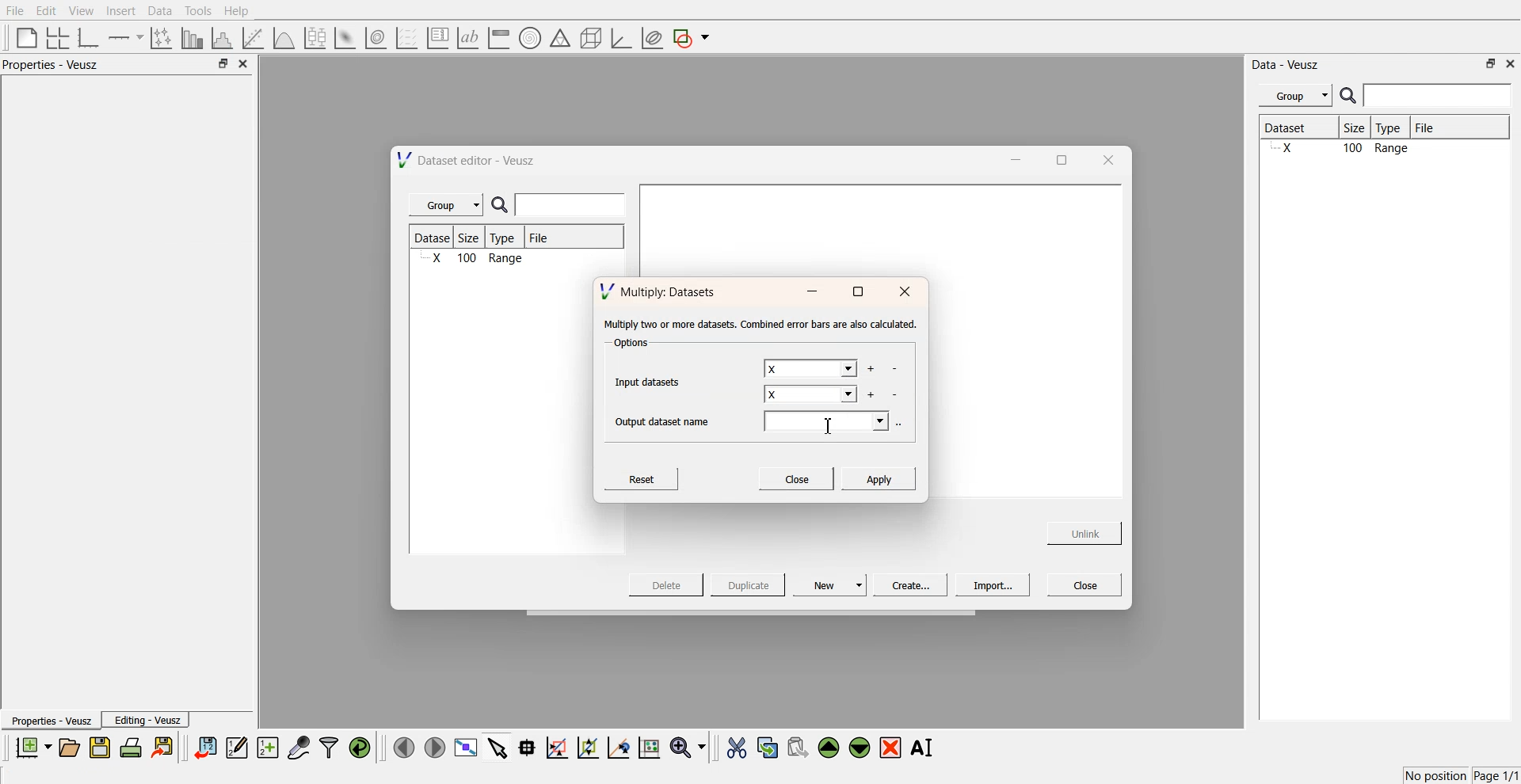 This screenshot has width=1521, height=784. What do you see at coordinates (448, 205) in the screenshot?
I see `Group |` at bounding box center [448, 205].